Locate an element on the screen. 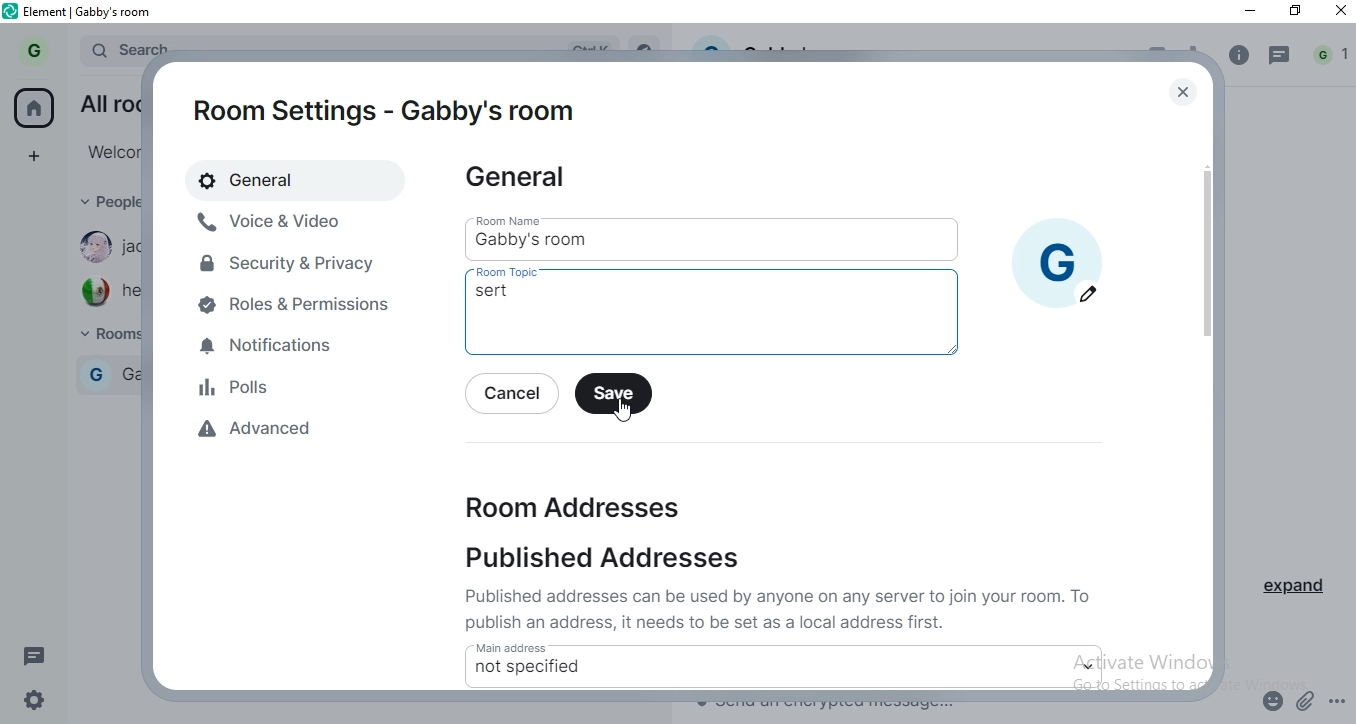 Image resolution: width=1356 pixels, height=724 pixels. all rooms is located at coordinates (106, 101).